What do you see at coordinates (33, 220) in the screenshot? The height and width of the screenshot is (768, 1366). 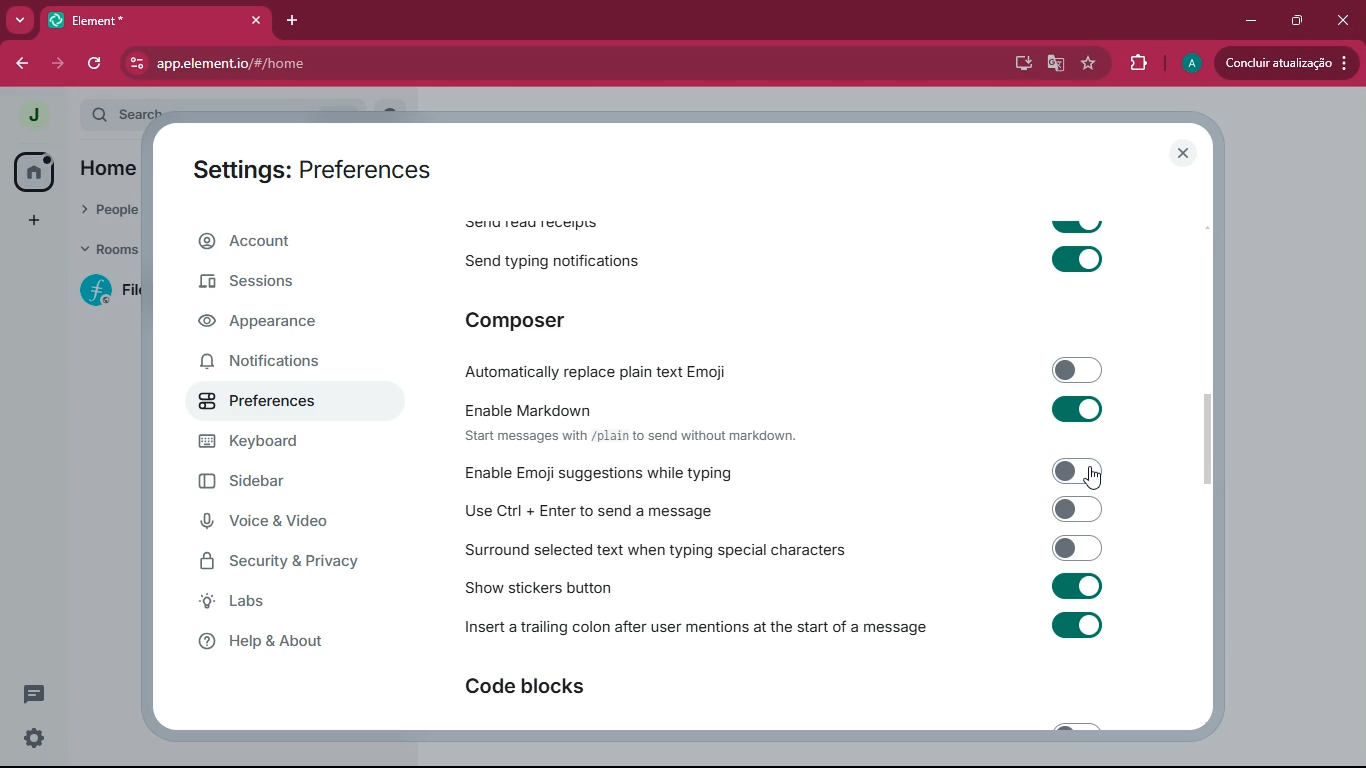 I see `add` at bounding box center [33, 220].